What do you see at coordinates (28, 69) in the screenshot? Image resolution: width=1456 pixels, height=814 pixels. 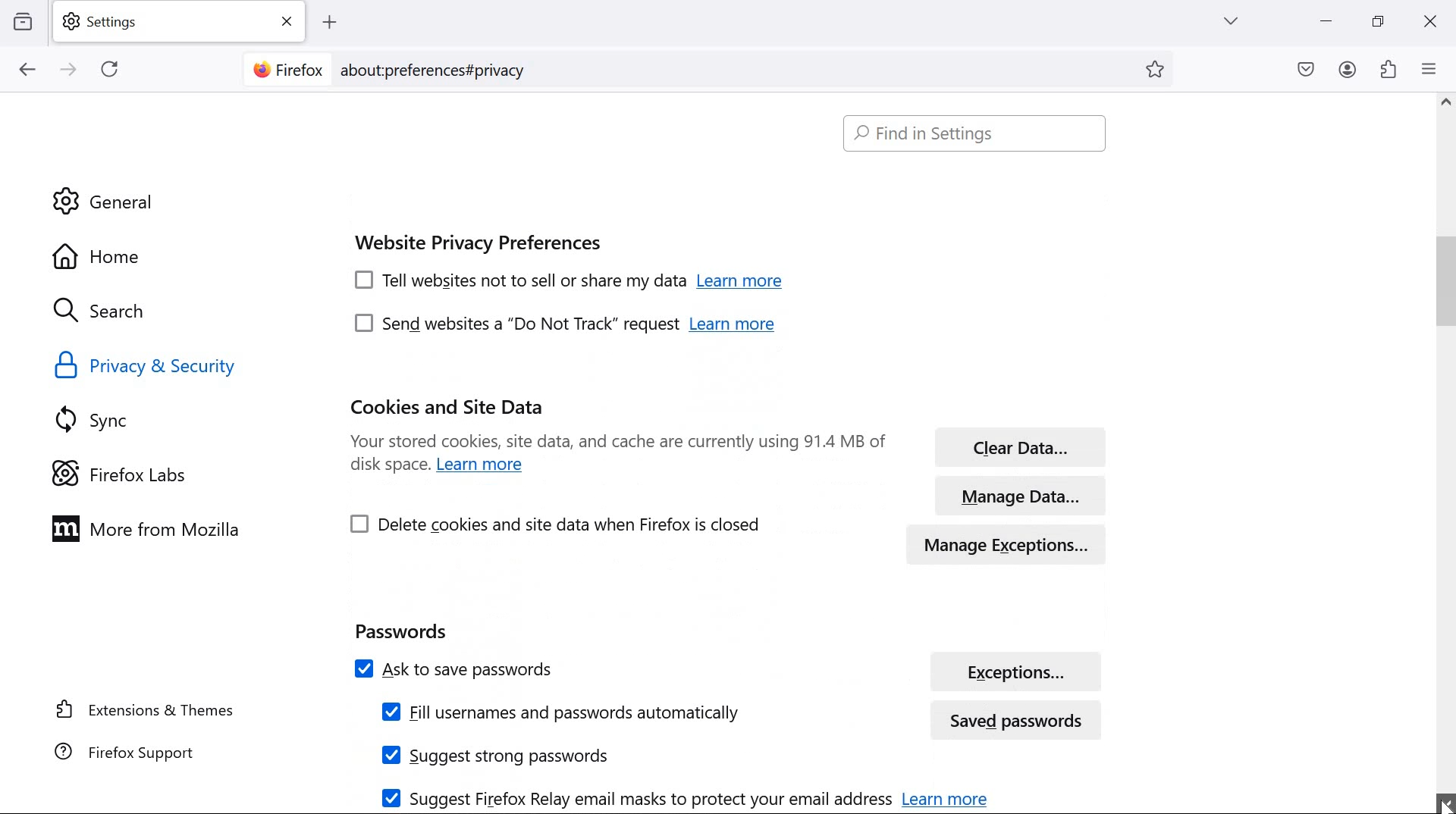 I see `go back one page` at bounding box center [28, 69].